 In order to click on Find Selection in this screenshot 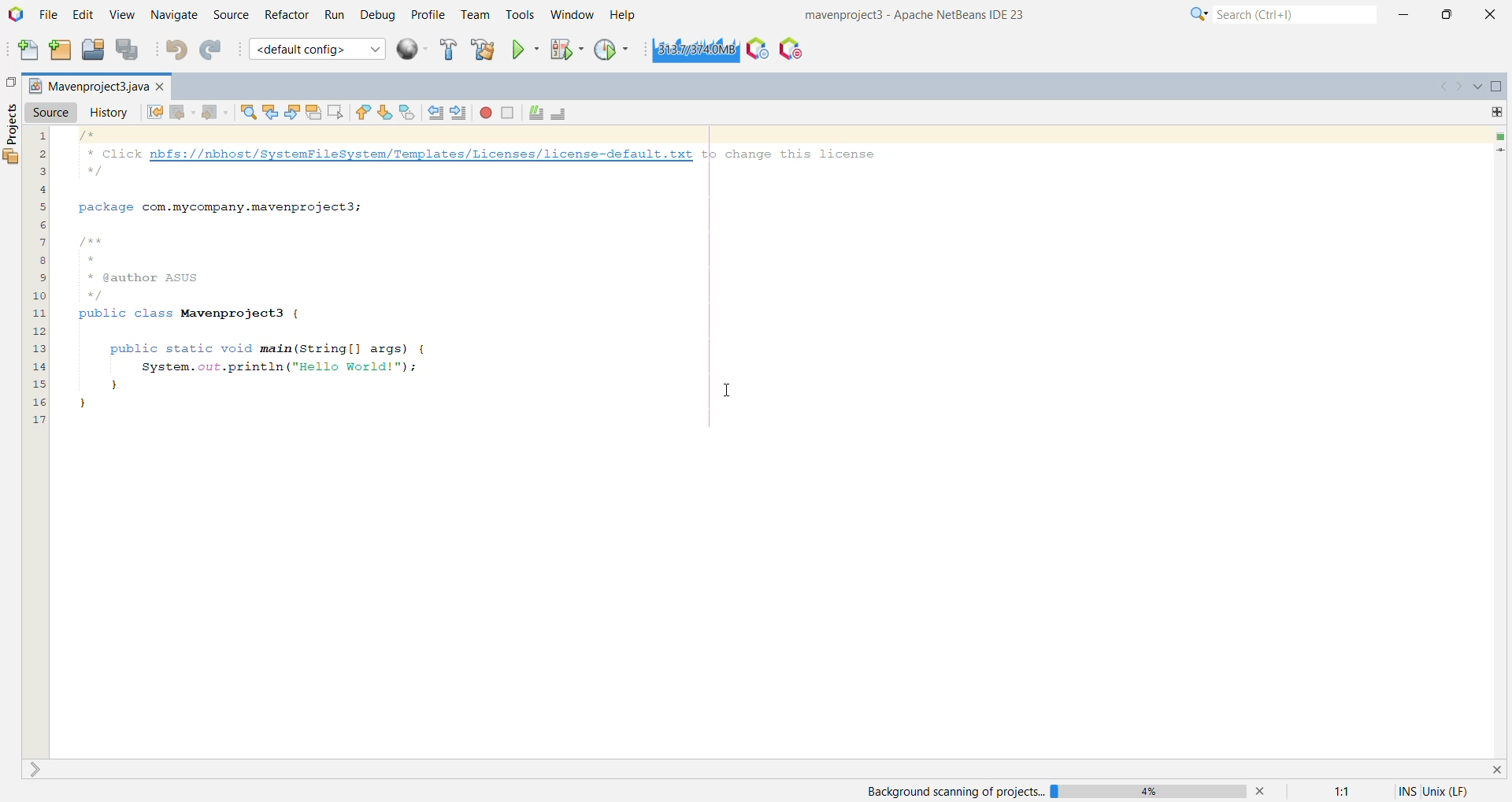, I will do `click(246, 113)`.